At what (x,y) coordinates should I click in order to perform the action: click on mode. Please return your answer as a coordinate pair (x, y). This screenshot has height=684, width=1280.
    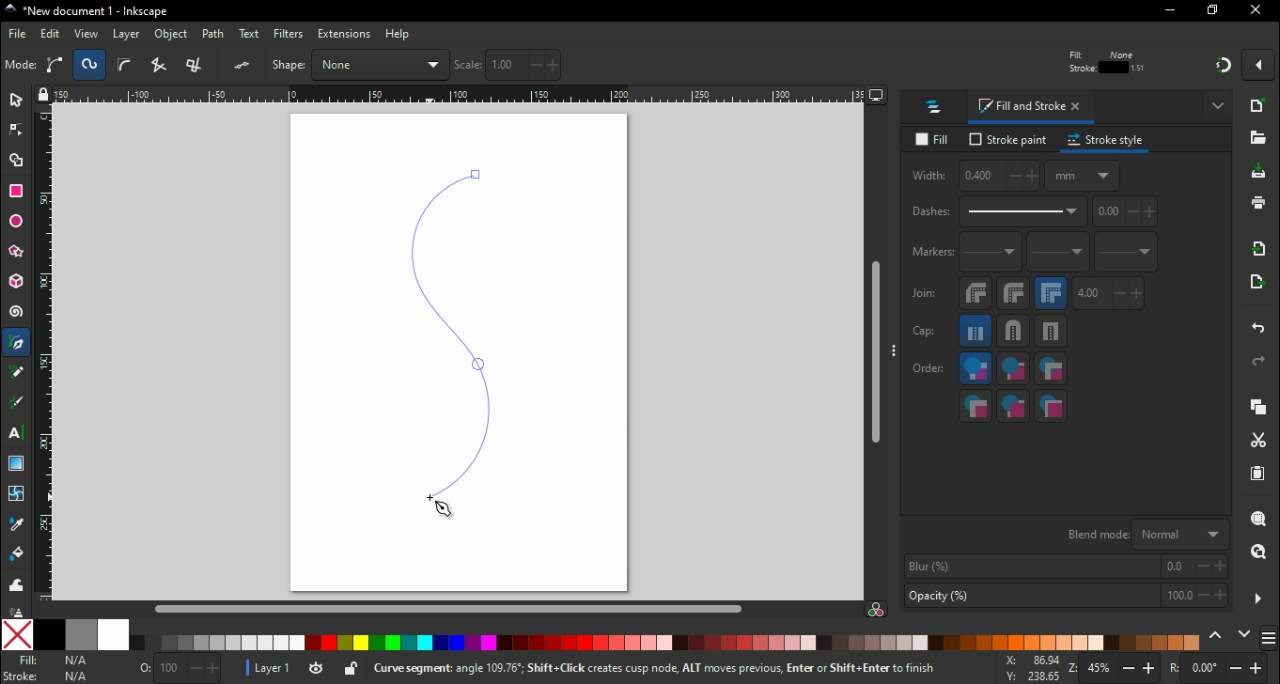
    Looking at the image, I should click on (21, 66).